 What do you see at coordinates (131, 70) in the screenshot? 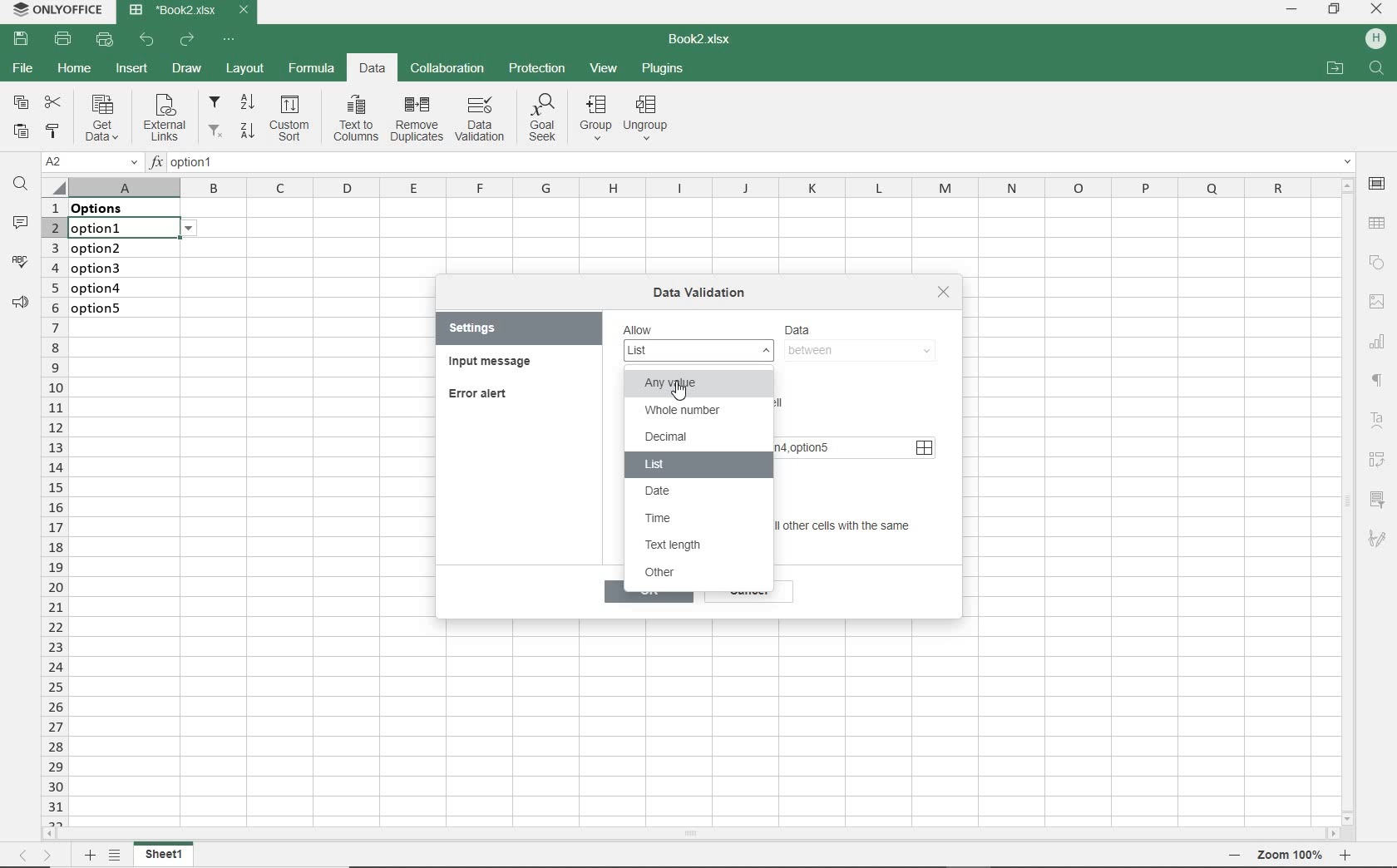
I see `INSERT` at bounding box center [131, 70].